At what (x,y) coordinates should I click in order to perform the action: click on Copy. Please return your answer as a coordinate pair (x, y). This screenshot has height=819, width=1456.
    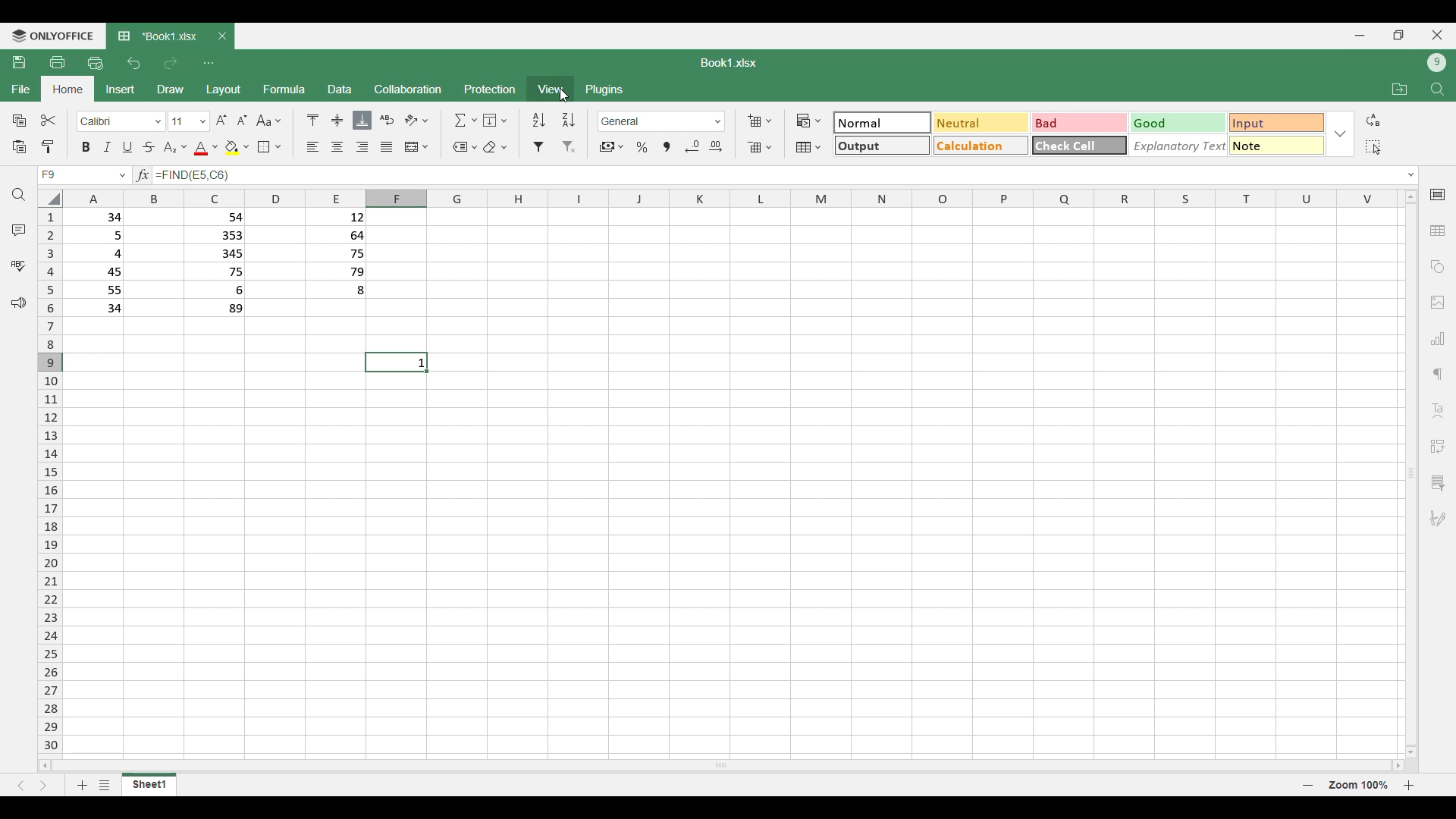
    Looking at the image, I should click on (19, 121).